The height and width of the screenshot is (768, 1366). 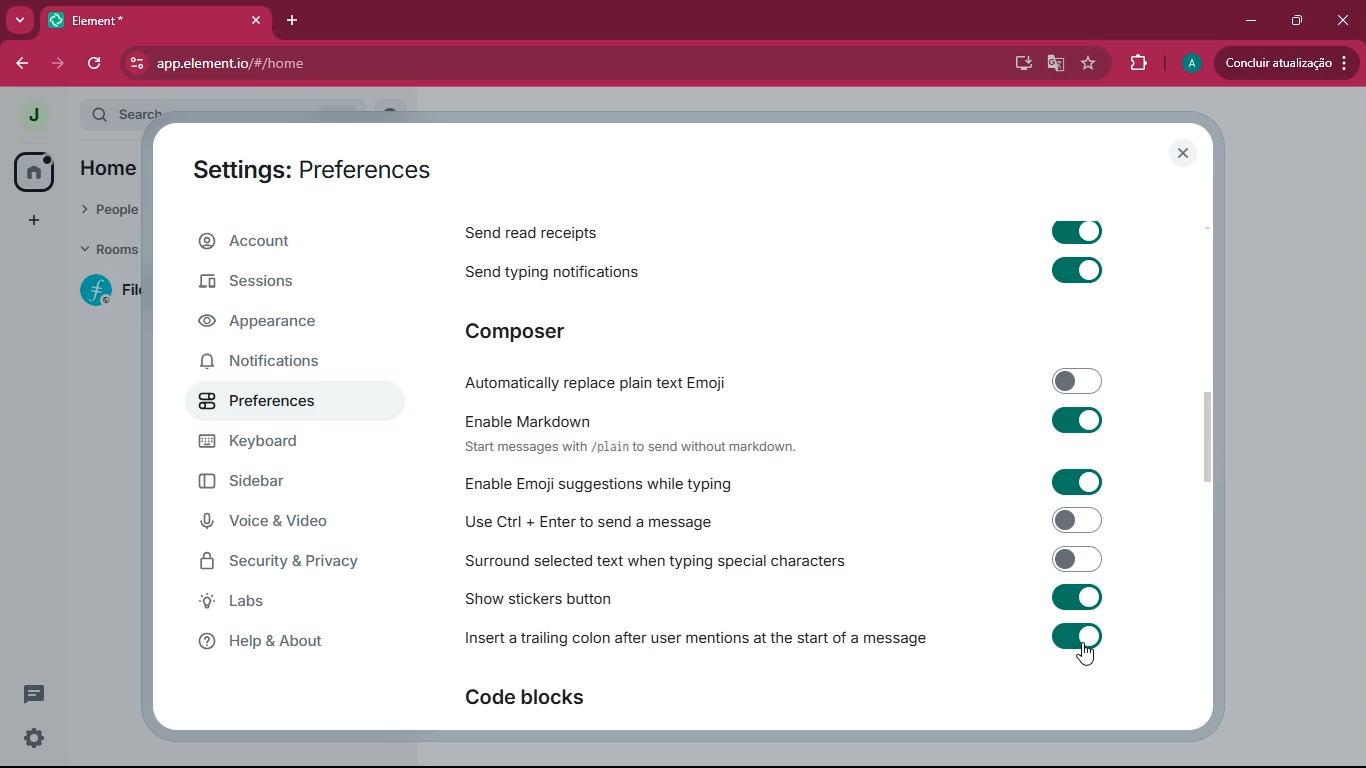 I want to click on ‘Start messages with /plain to send without markdown., so click(x=647, y=449).